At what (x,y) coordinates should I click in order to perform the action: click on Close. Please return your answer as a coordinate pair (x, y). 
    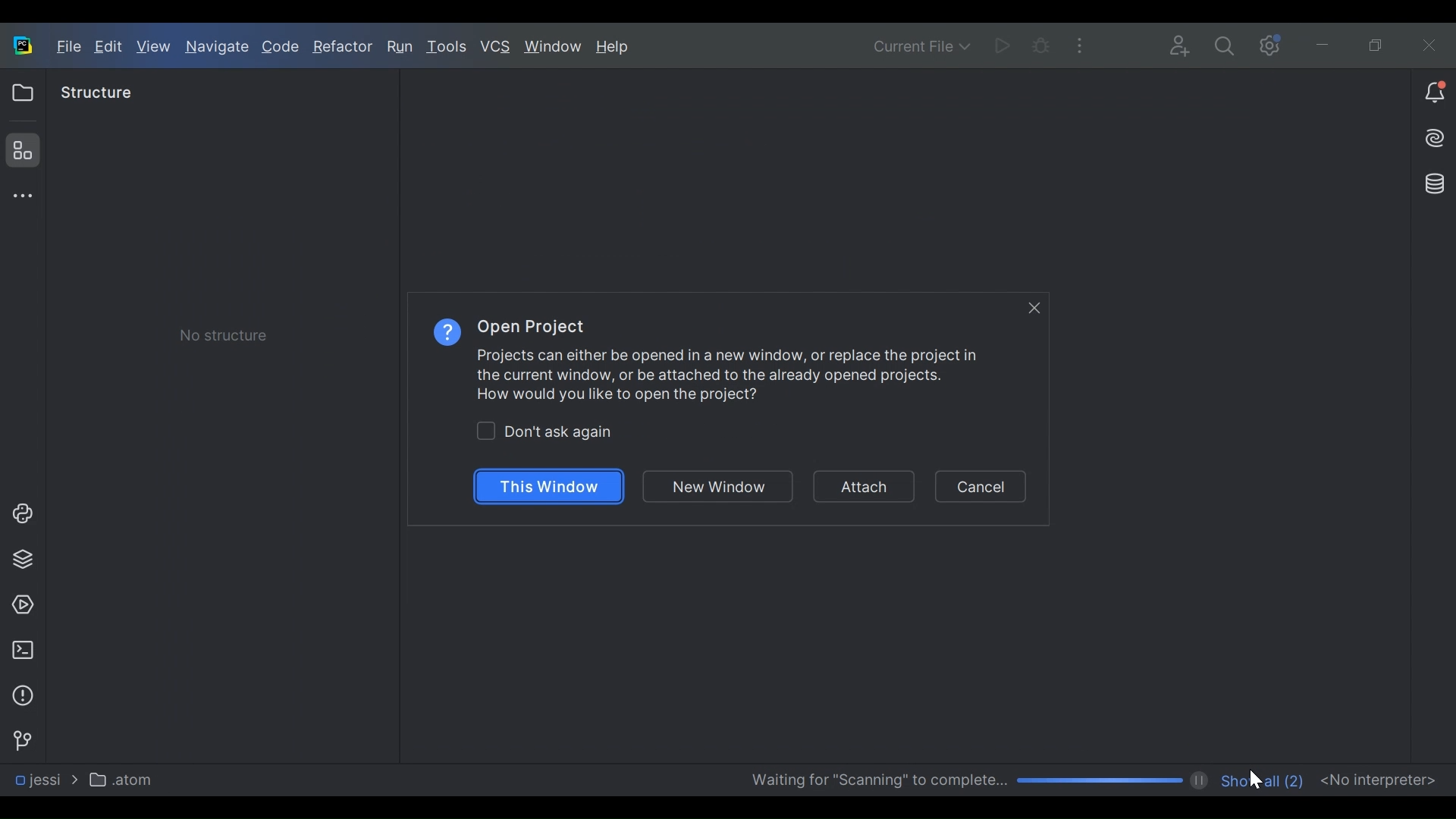
    Looking at the image, I should click on (1034, 306).